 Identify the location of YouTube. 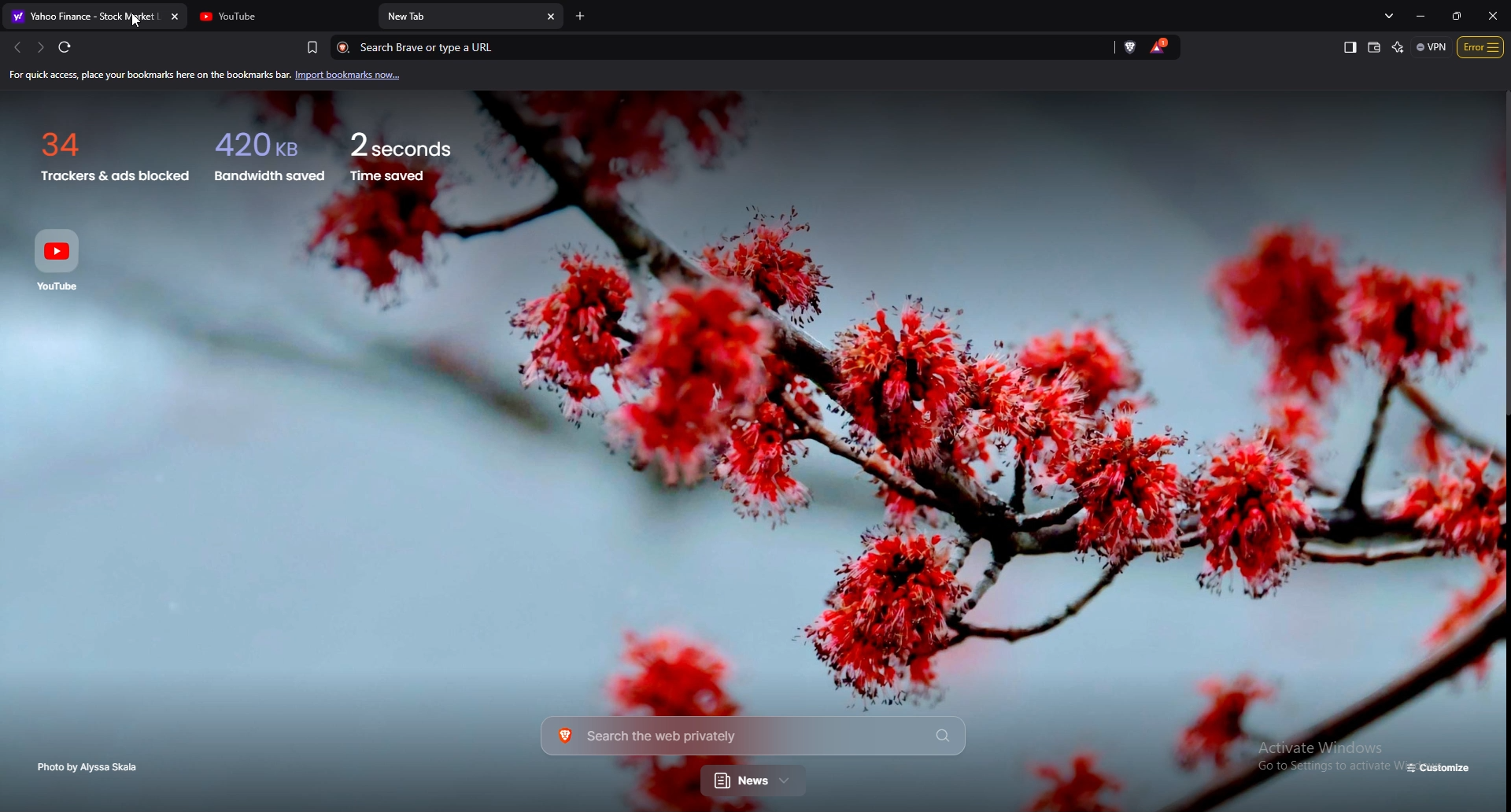
(282, 17).